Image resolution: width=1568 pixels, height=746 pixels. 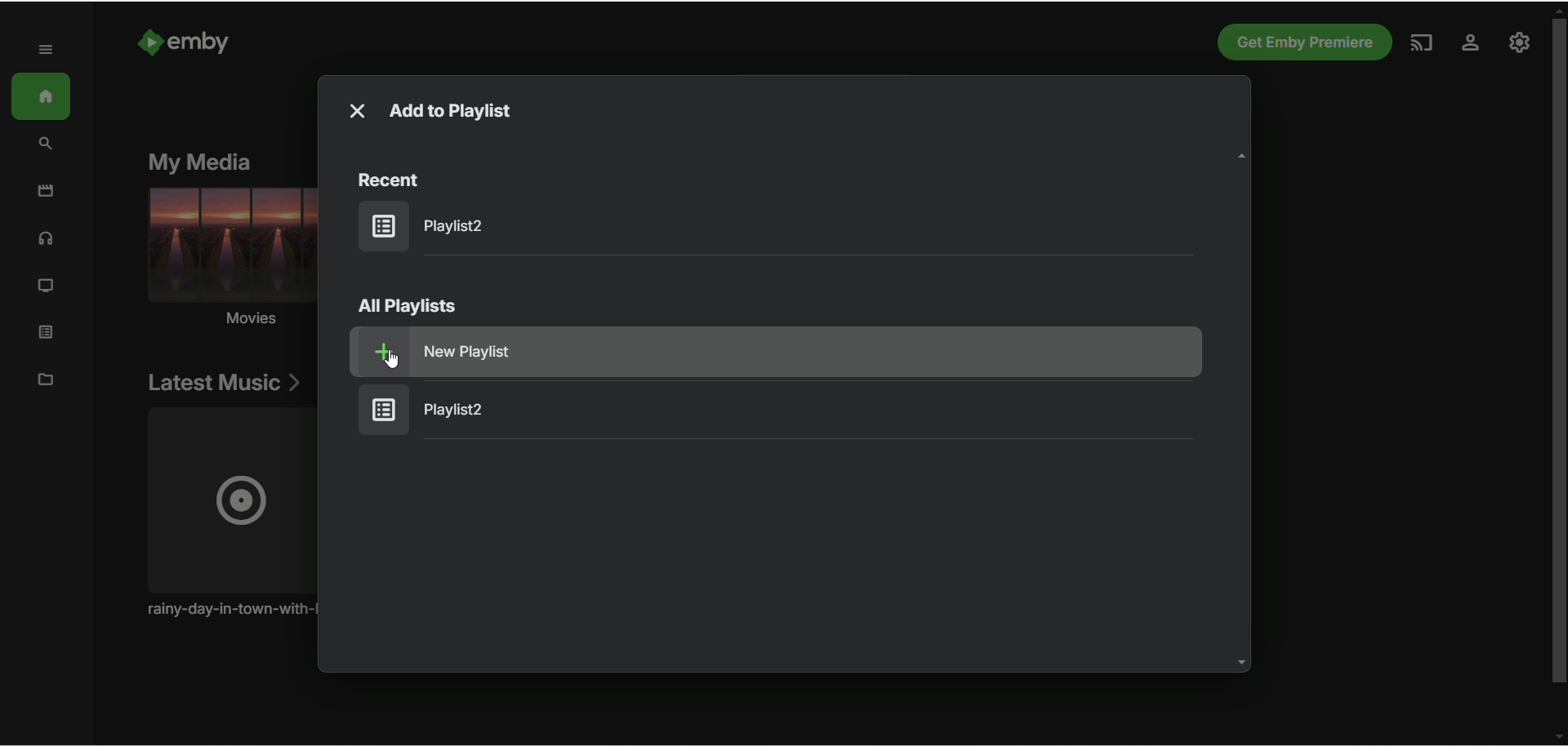 What do you see at coordinates (47, 242) in the screenshot?
I see `music` at bounding box center [47, 242].